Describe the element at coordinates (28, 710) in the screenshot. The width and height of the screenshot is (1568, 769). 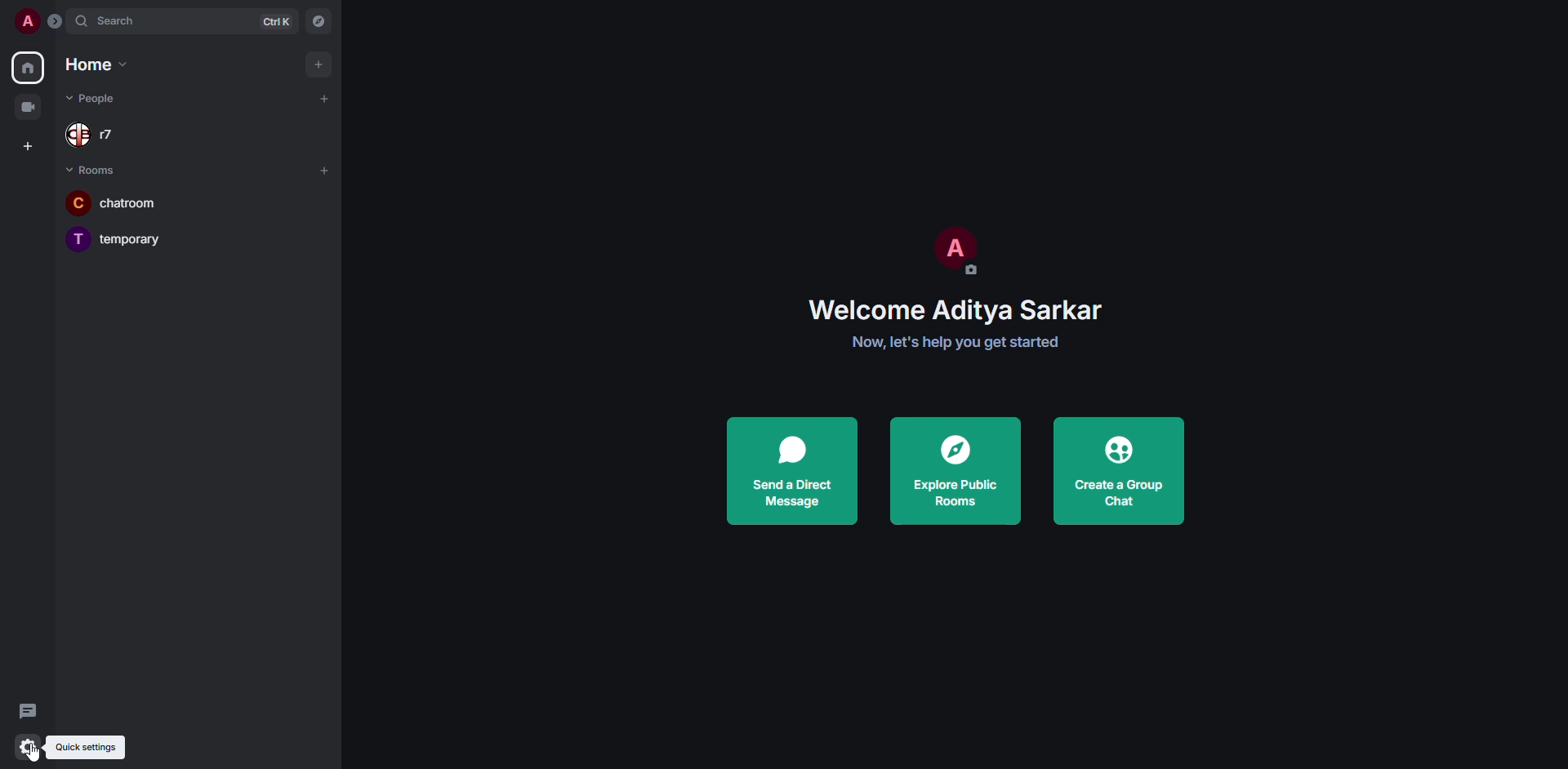
I see `threads` at that location.